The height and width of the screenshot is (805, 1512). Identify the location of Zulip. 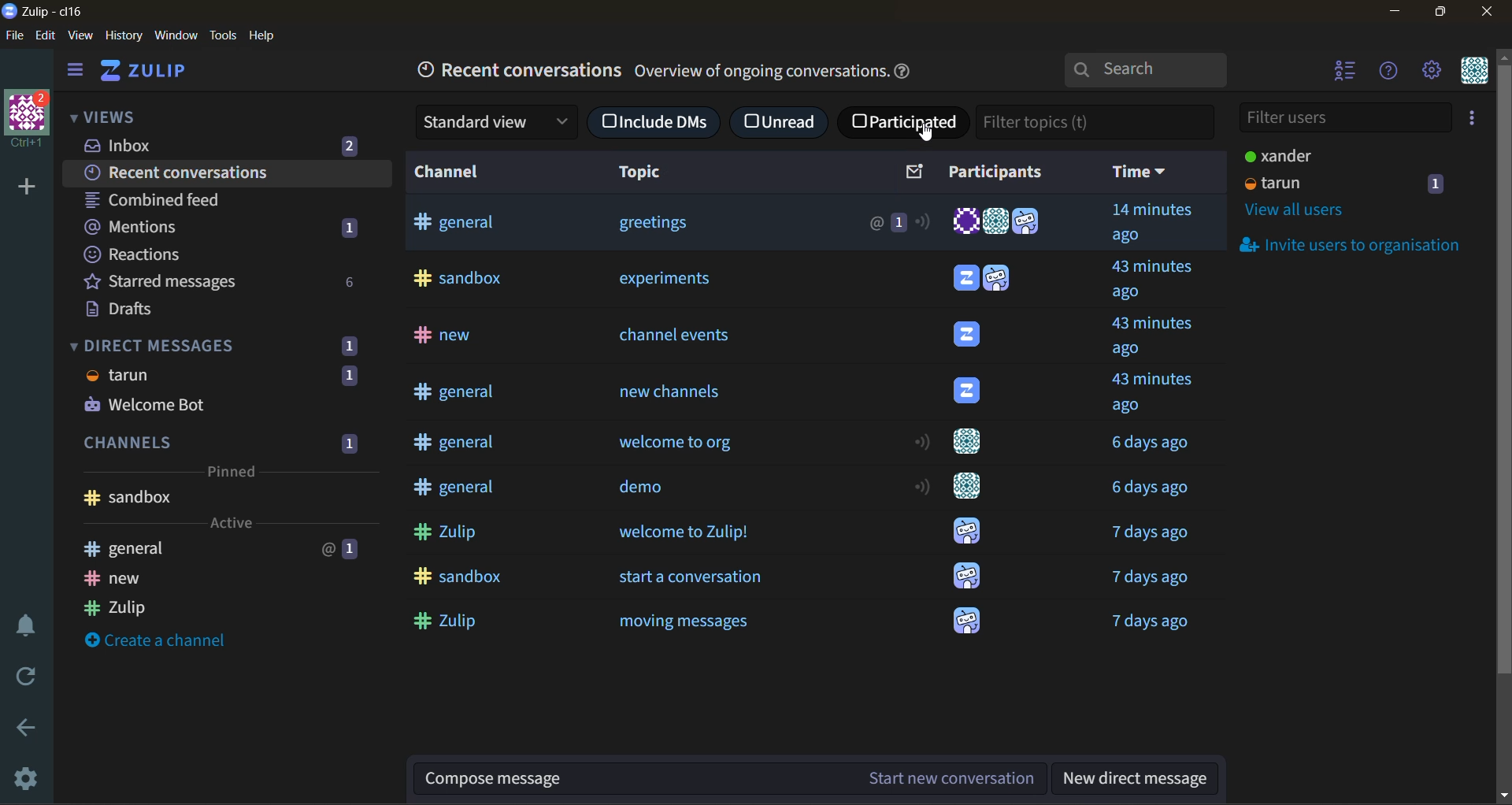
(217, 607).